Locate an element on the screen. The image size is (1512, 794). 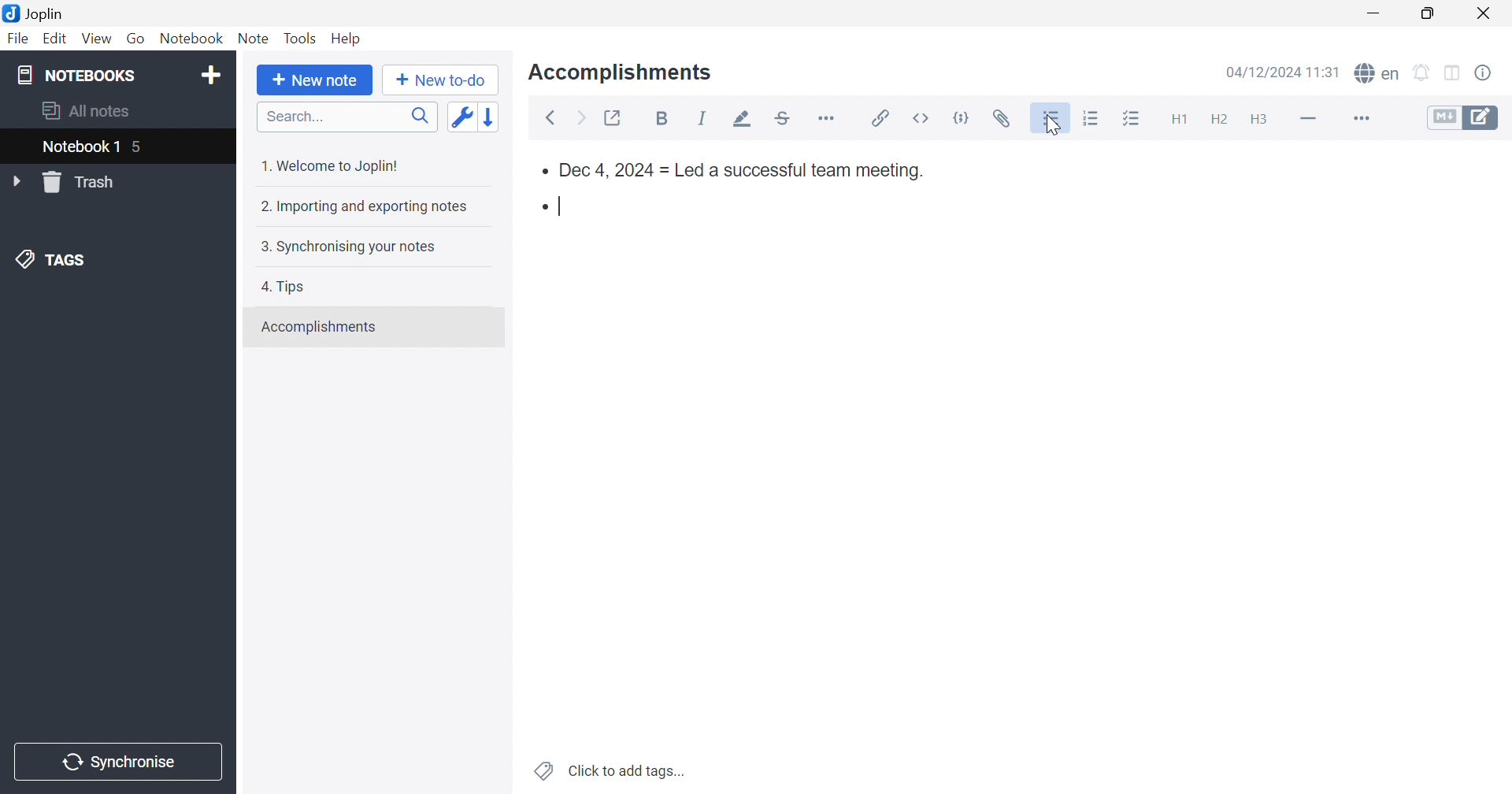
5 is located at coordinates (140, 148).